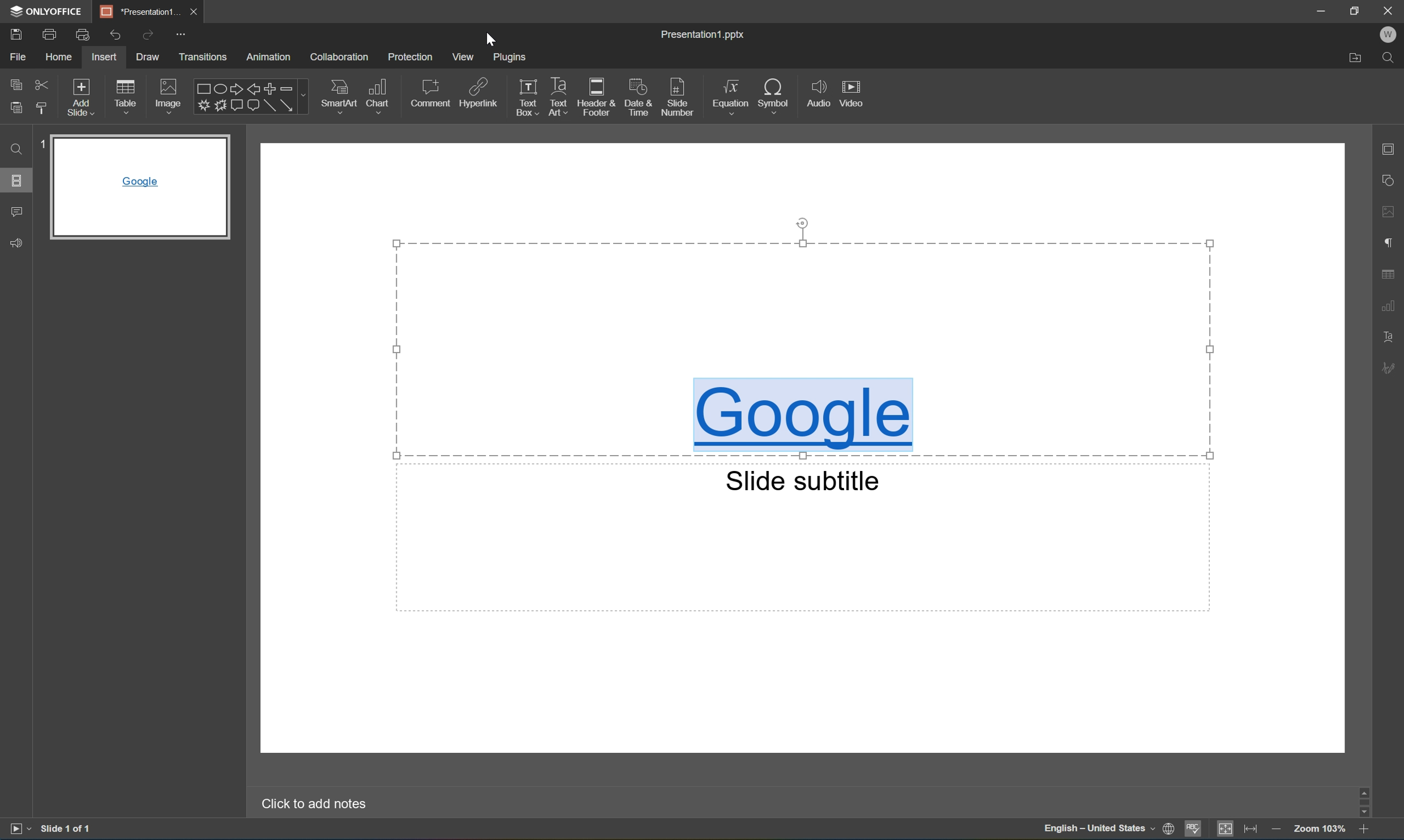 The image size is (1404, 840). I want to click on File, so click(22, 55).